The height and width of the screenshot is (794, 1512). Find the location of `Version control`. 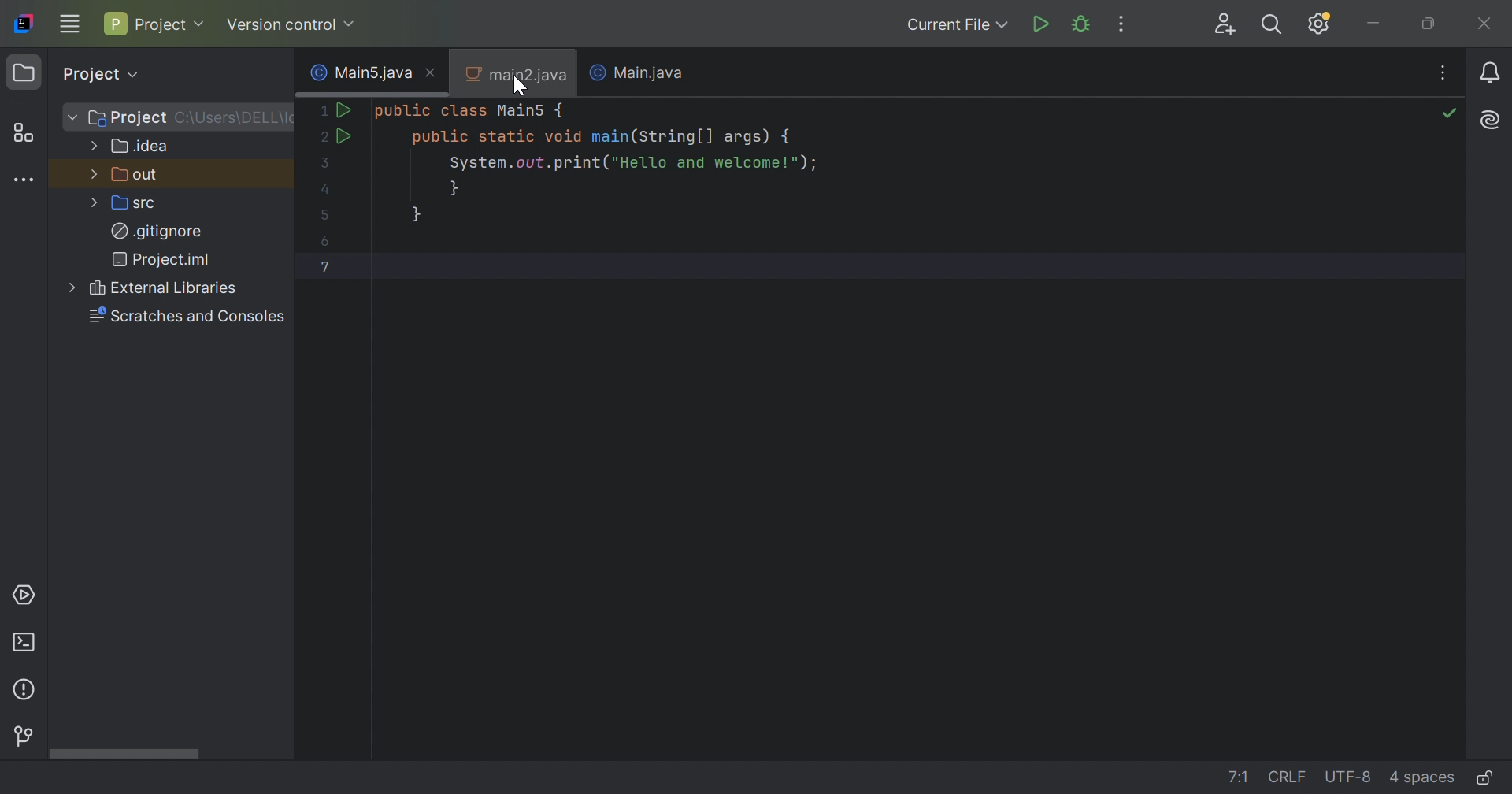

Version control is located at coordinates (291, 25).